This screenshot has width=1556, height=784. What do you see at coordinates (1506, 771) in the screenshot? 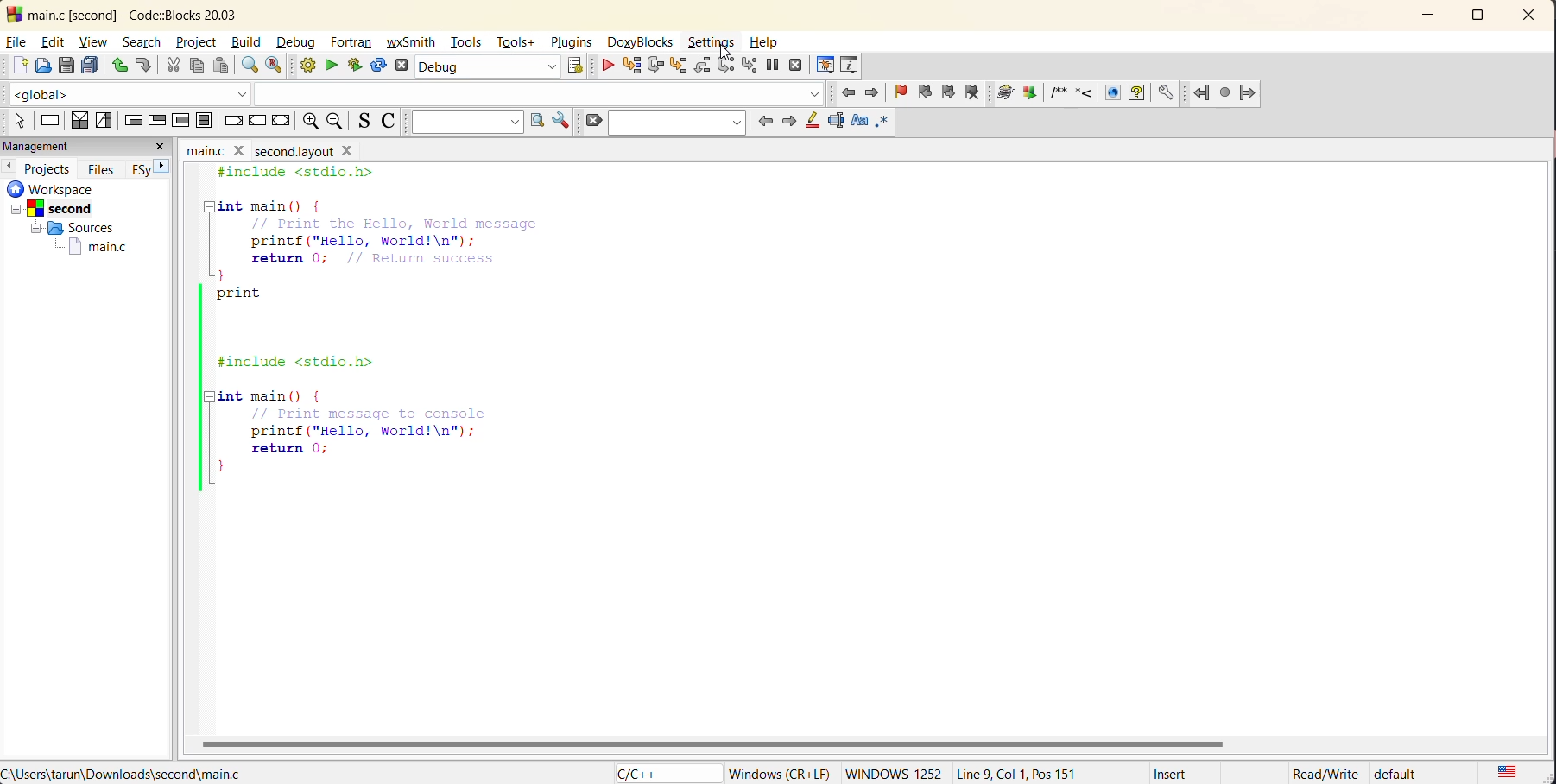
I see `text language` at bounding box center [1506, 771].